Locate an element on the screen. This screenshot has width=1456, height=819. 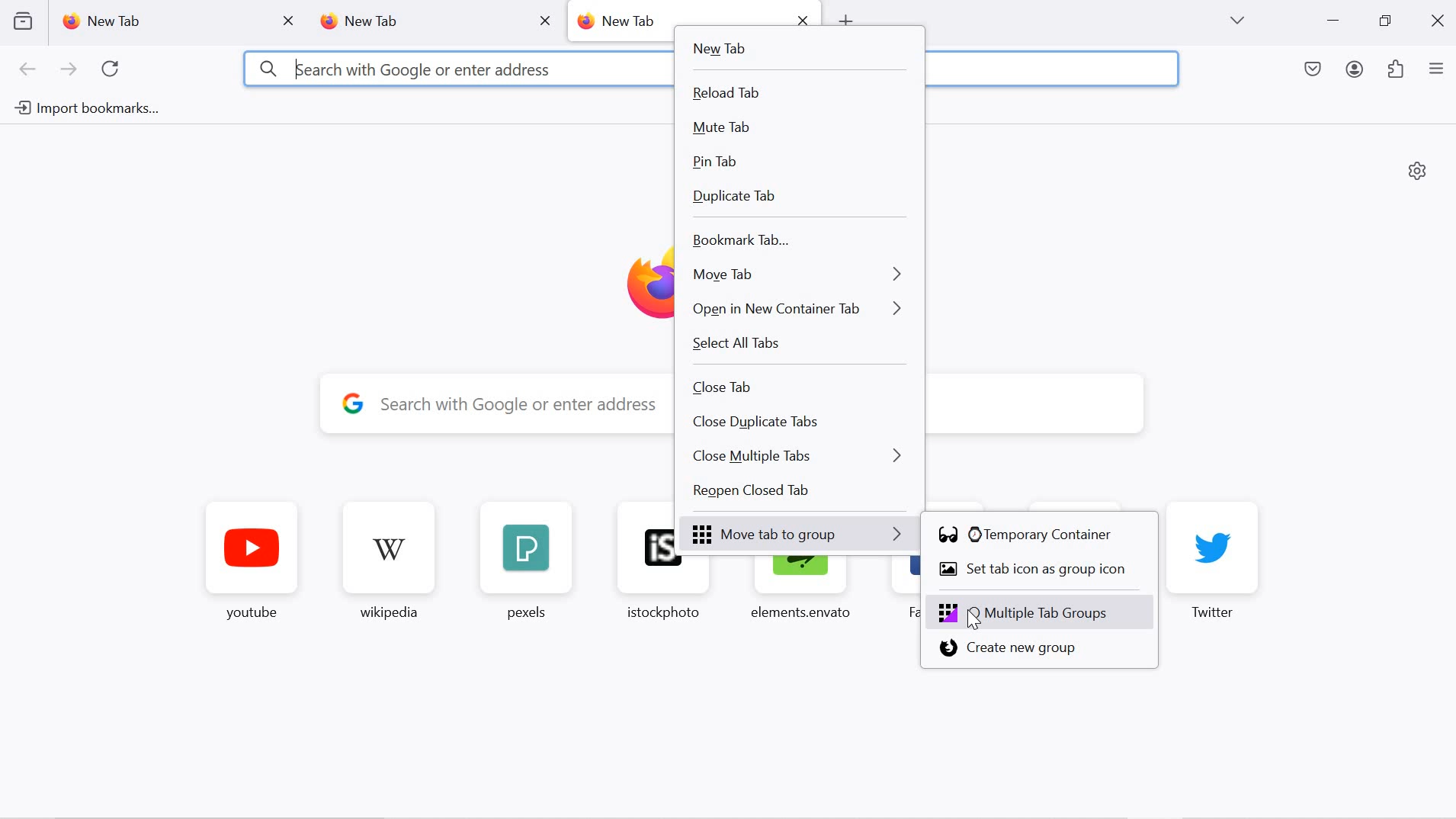
next page is located at coordinates (69, 70).